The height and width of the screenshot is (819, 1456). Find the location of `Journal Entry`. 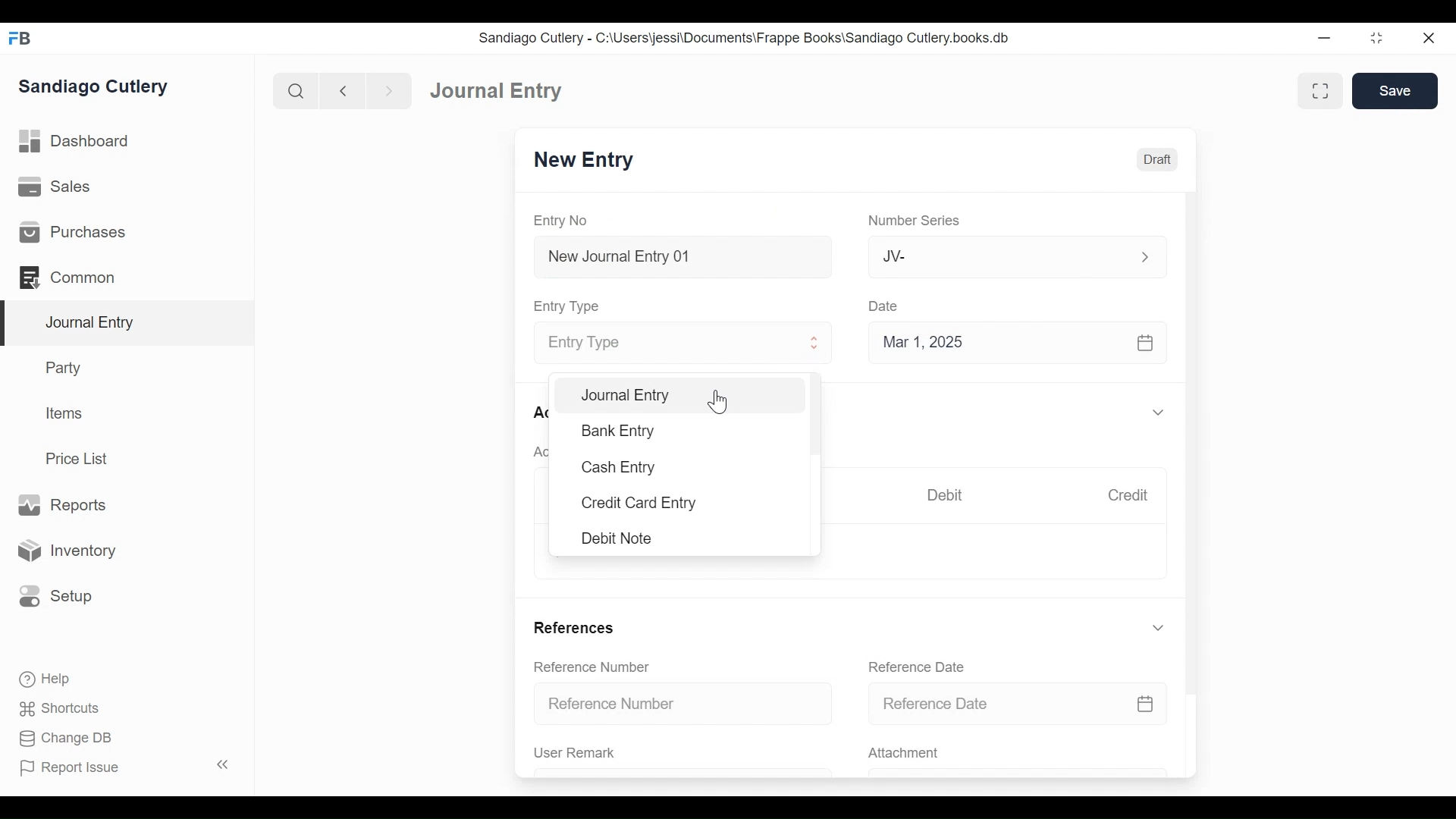

Journal Entry is located at coordinates (626, 393).